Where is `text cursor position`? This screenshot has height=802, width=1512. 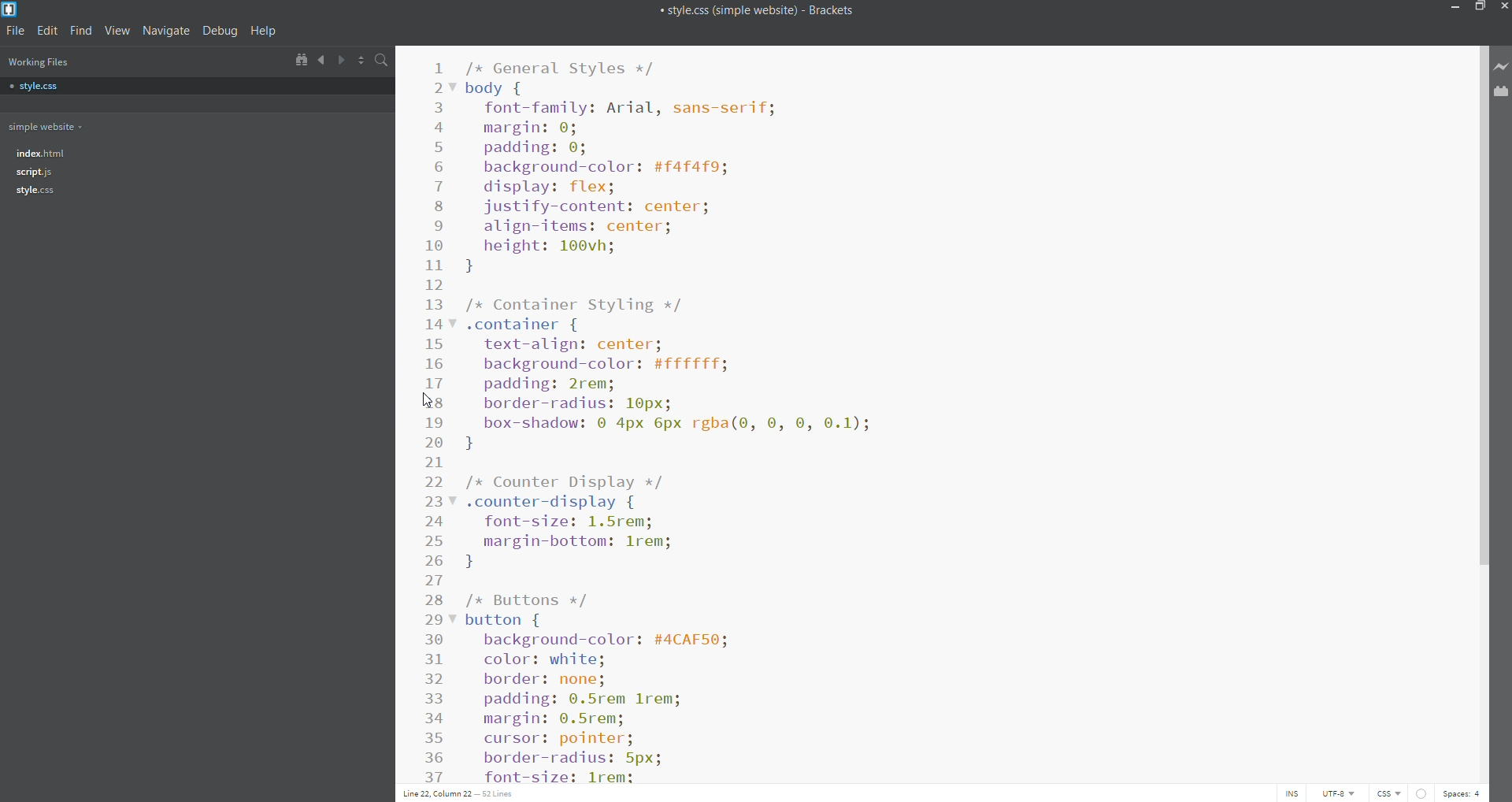
text cursor position is located at coordinates (465, 794).